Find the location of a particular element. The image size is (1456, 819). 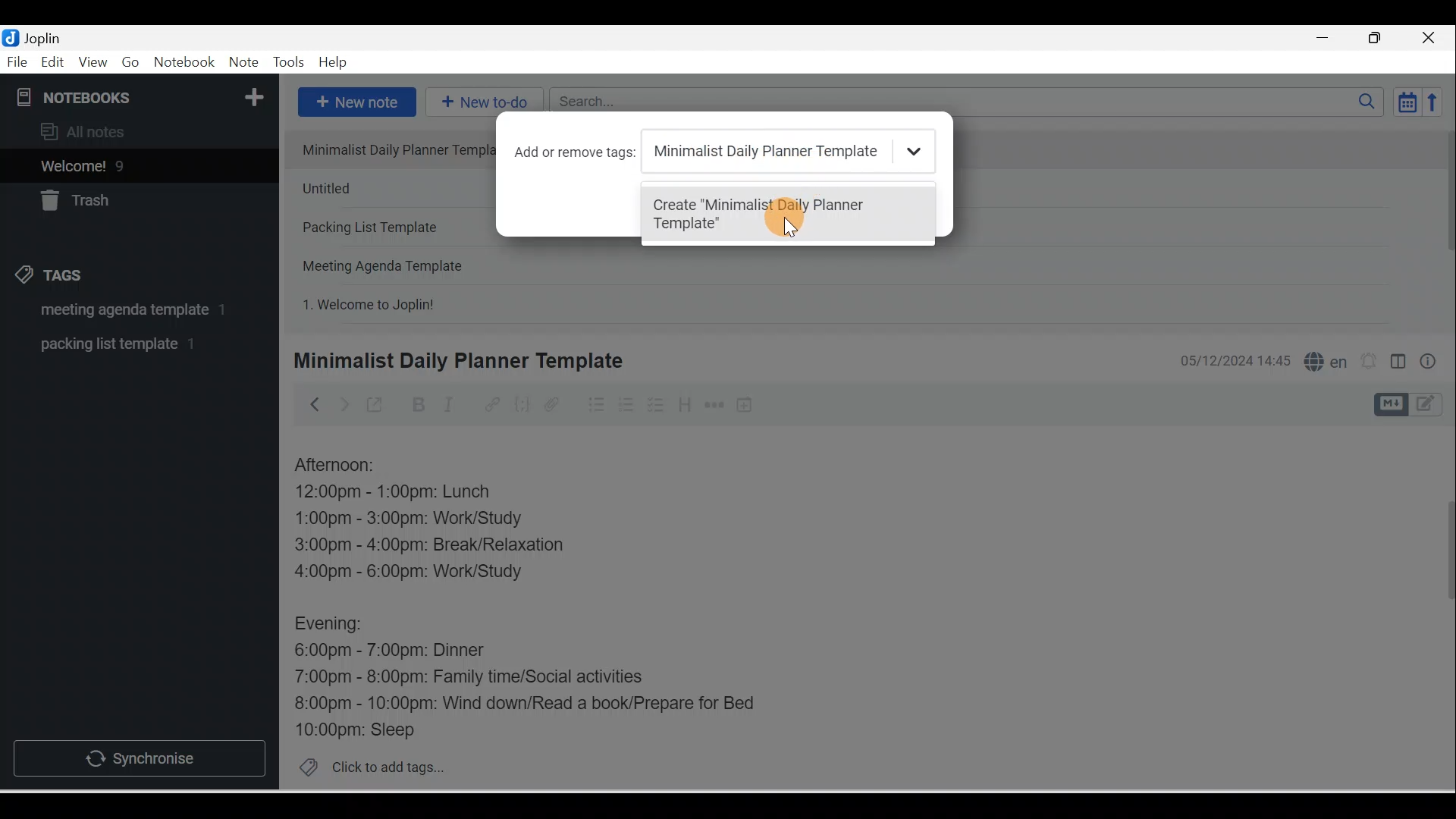

Go is located at coordinates (133, 63).